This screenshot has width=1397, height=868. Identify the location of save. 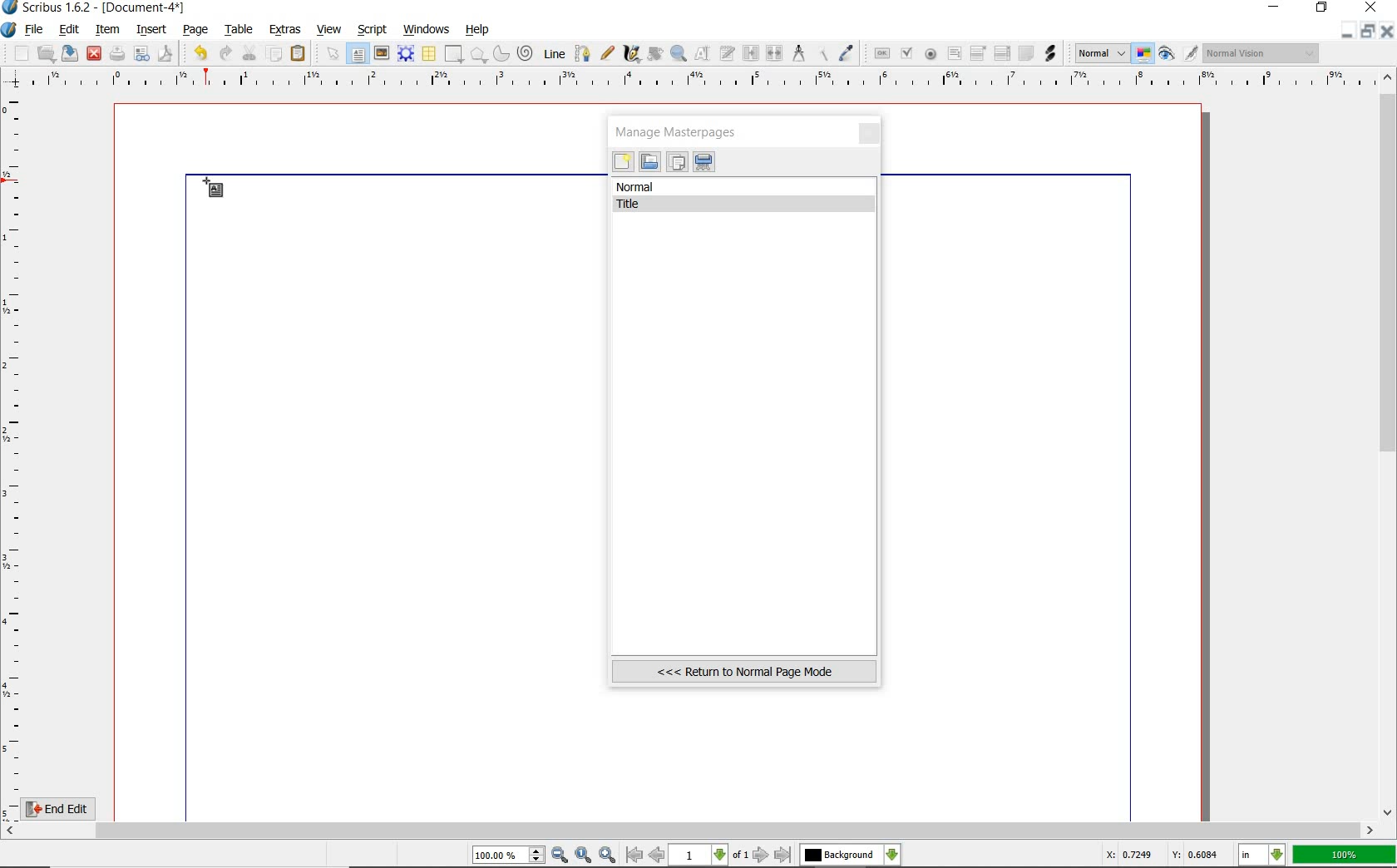
(71, 53).